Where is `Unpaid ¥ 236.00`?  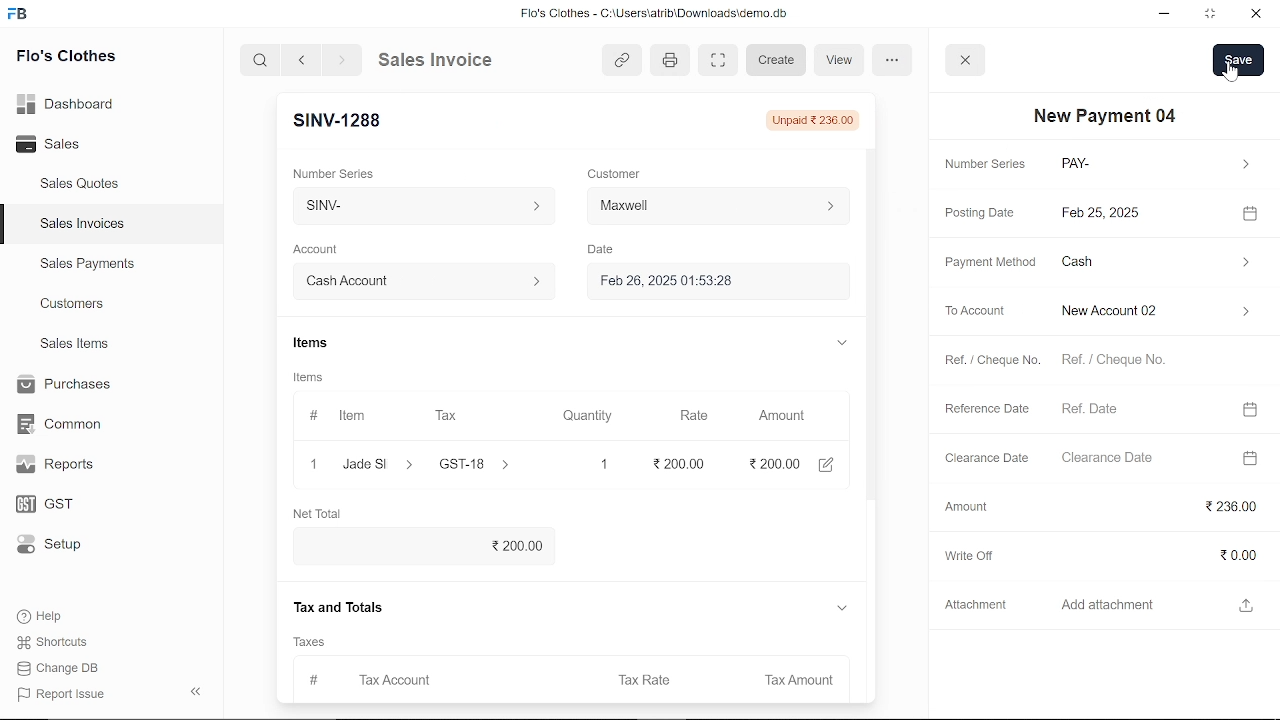
Unpaid ¥ 236.00 is located at coordinates (818, 120).